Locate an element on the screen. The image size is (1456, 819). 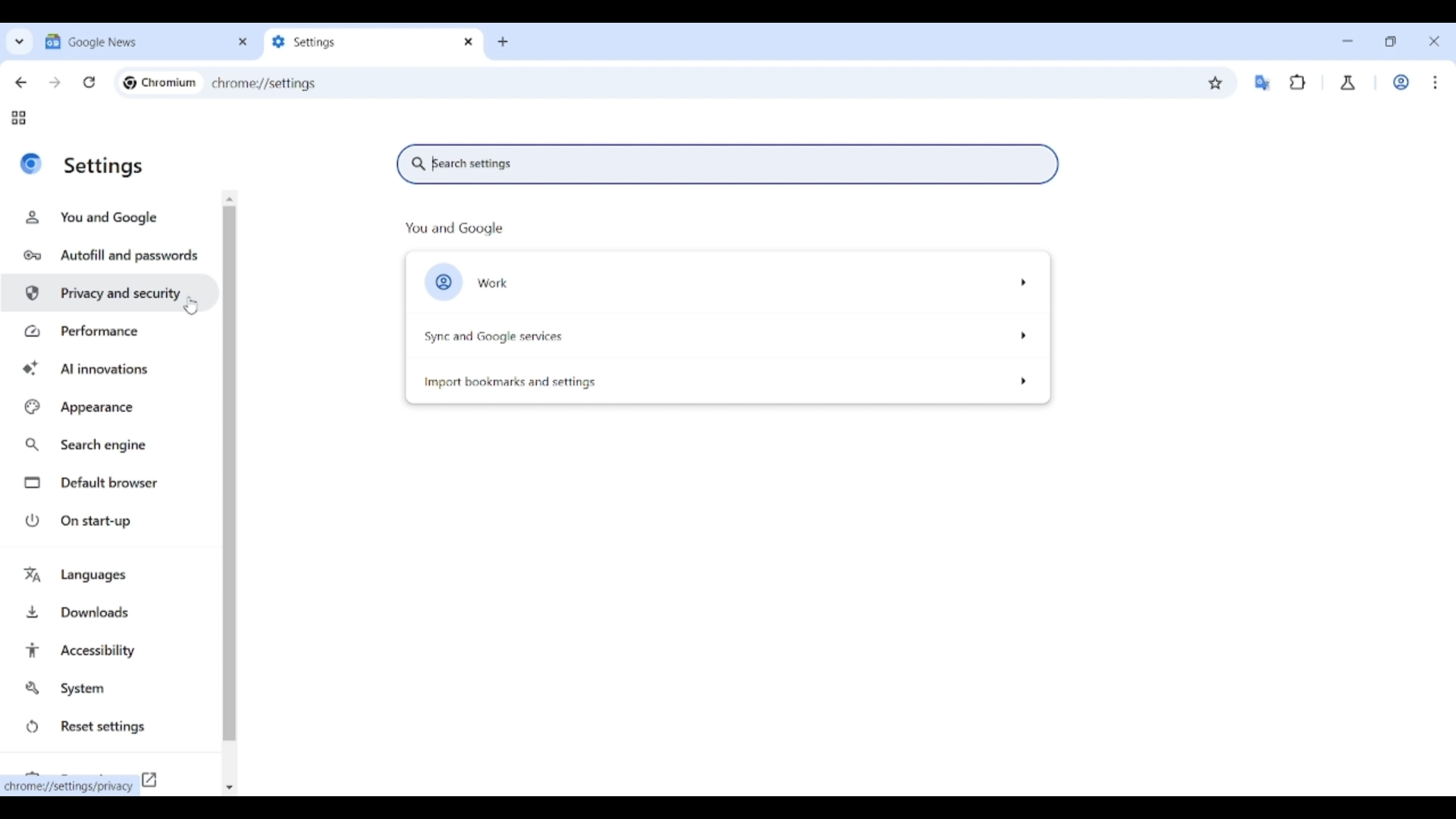
Google translator extension is located at coordinates (1262, 83).